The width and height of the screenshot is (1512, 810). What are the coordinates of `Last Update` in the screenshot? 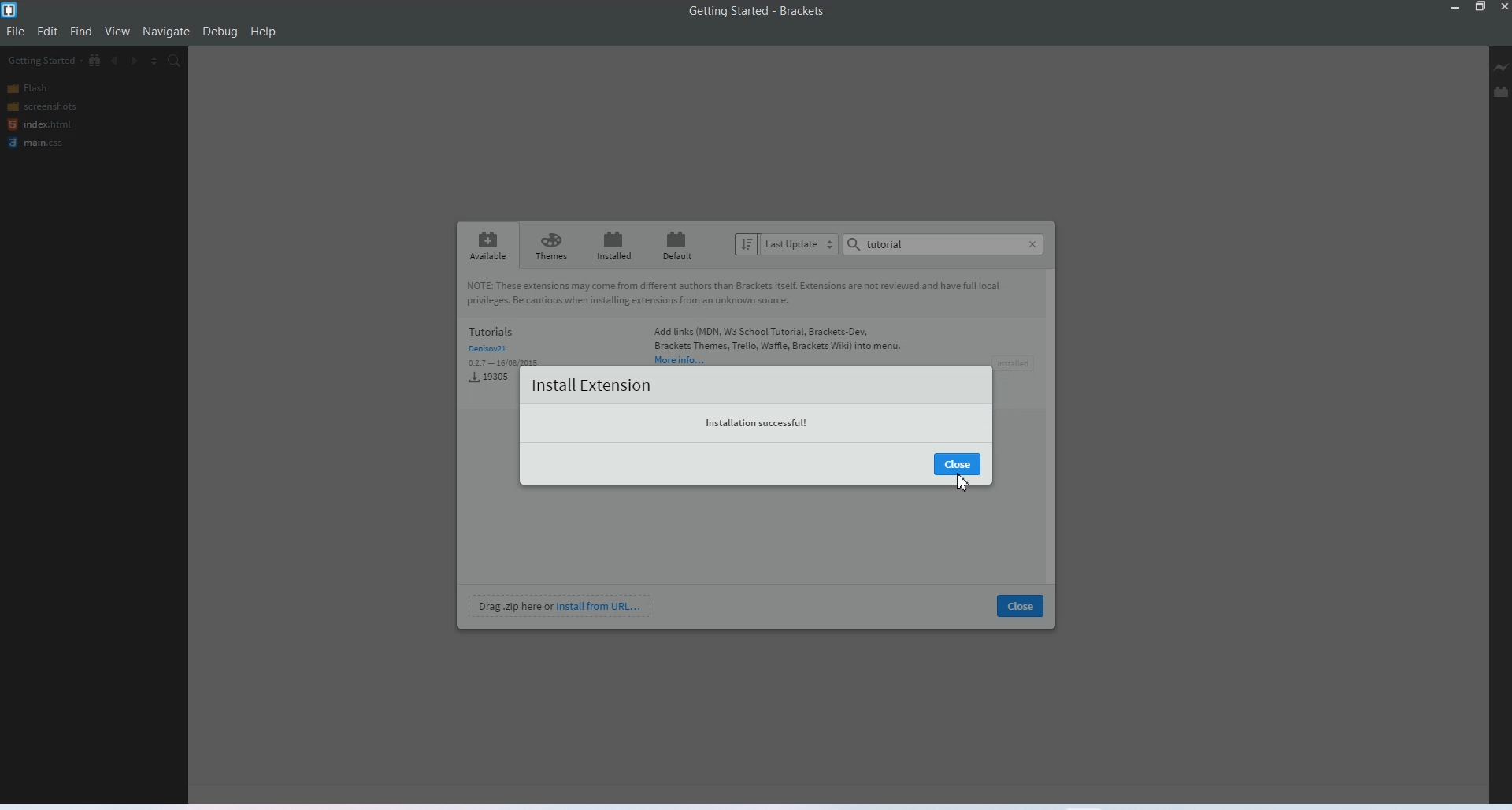 It's located at (786, 244).